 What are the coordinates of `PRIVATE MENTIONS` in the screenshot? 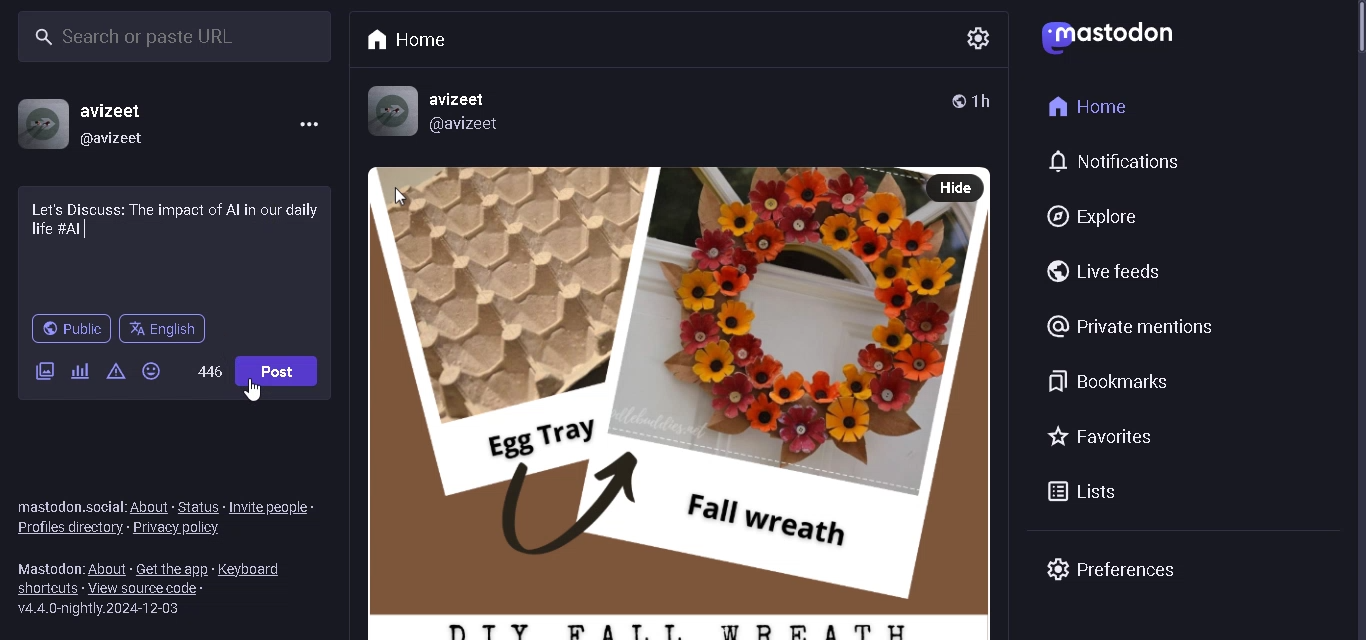 It's located at (1130, 325).